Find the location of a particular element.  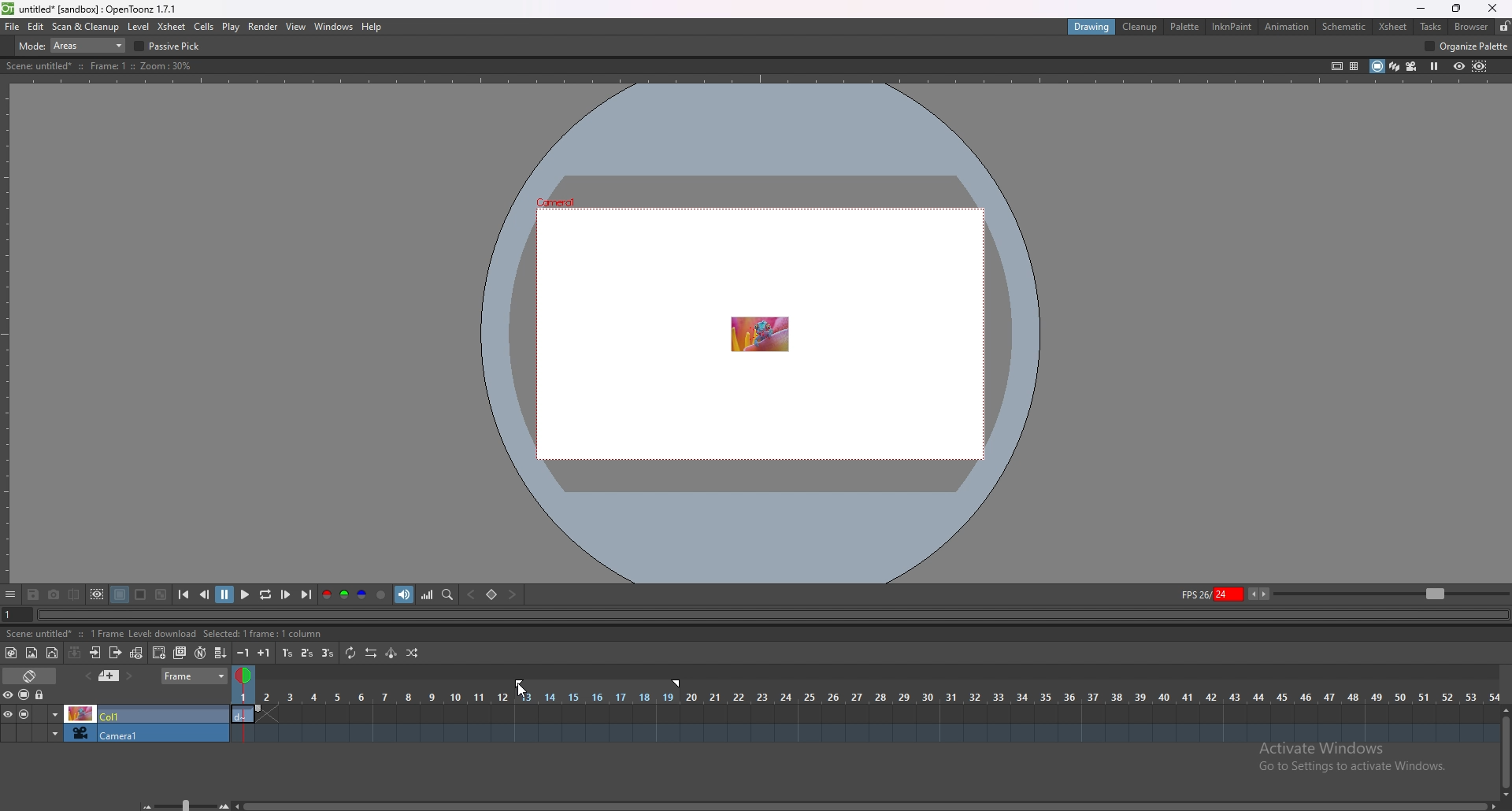

lock is located at coordinates (1504, 26).